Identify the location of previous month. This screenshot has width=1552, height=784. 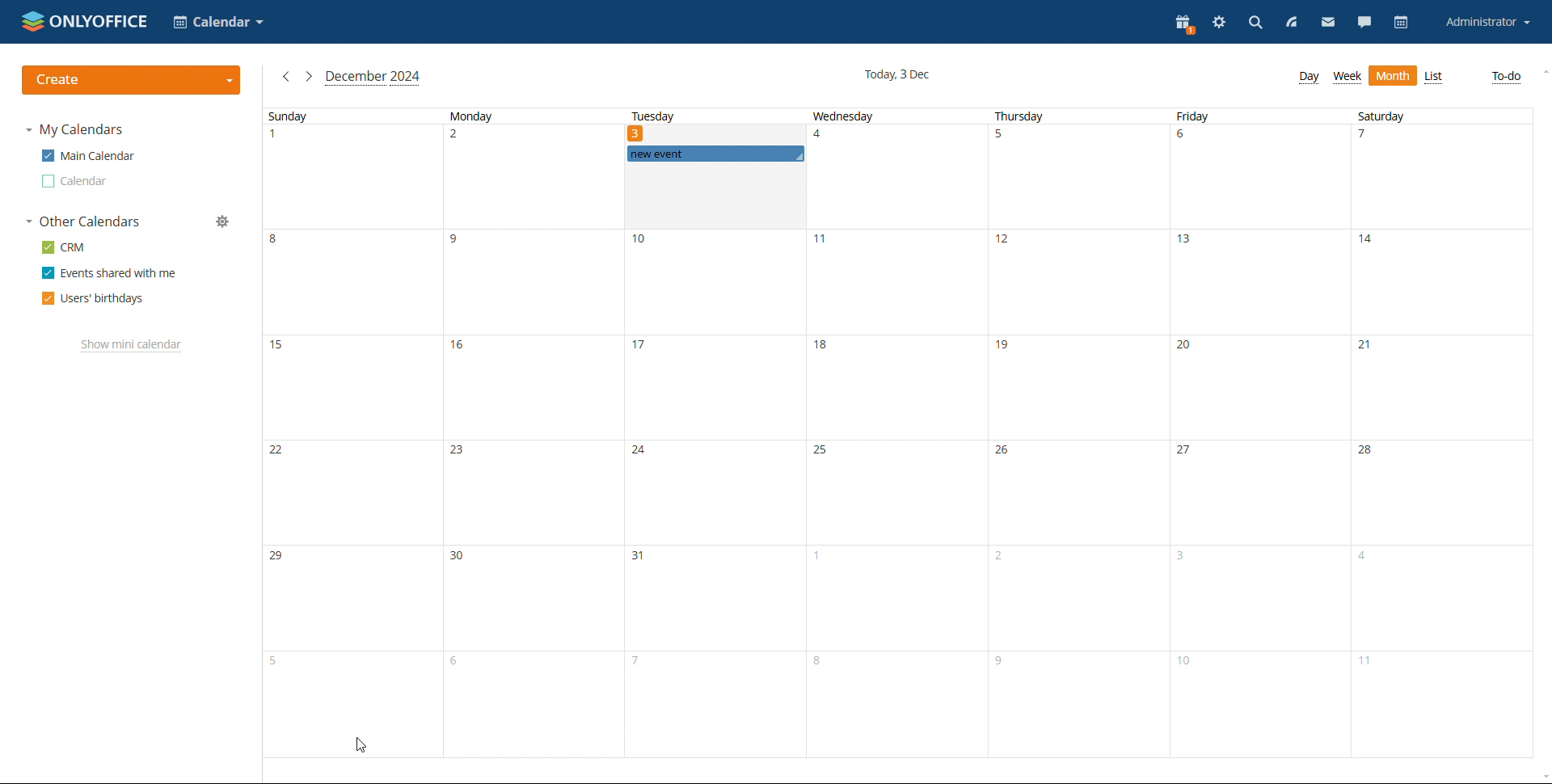
(287, 76).